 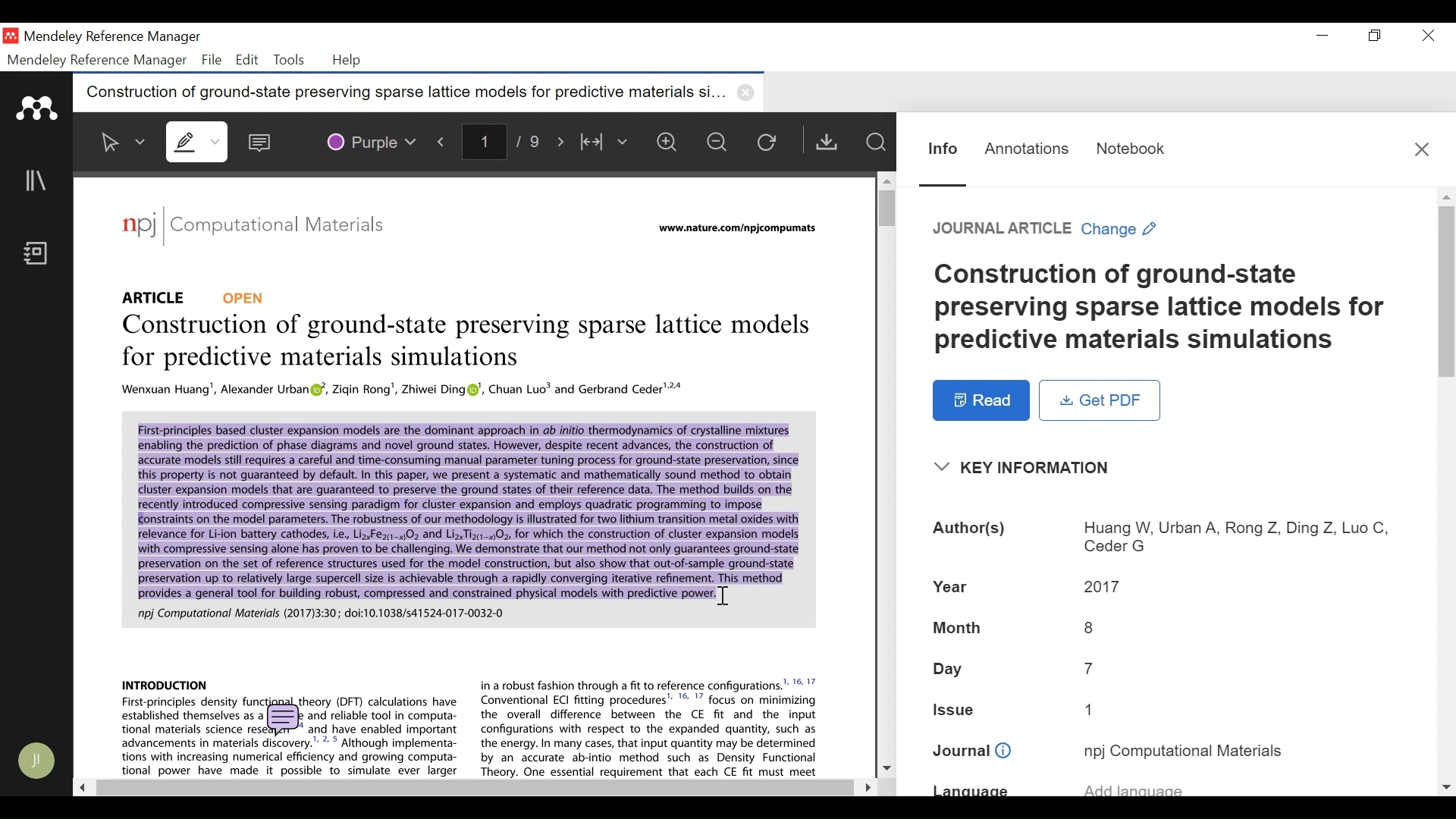 I want to click on Language, so click(x=1134, y=786).